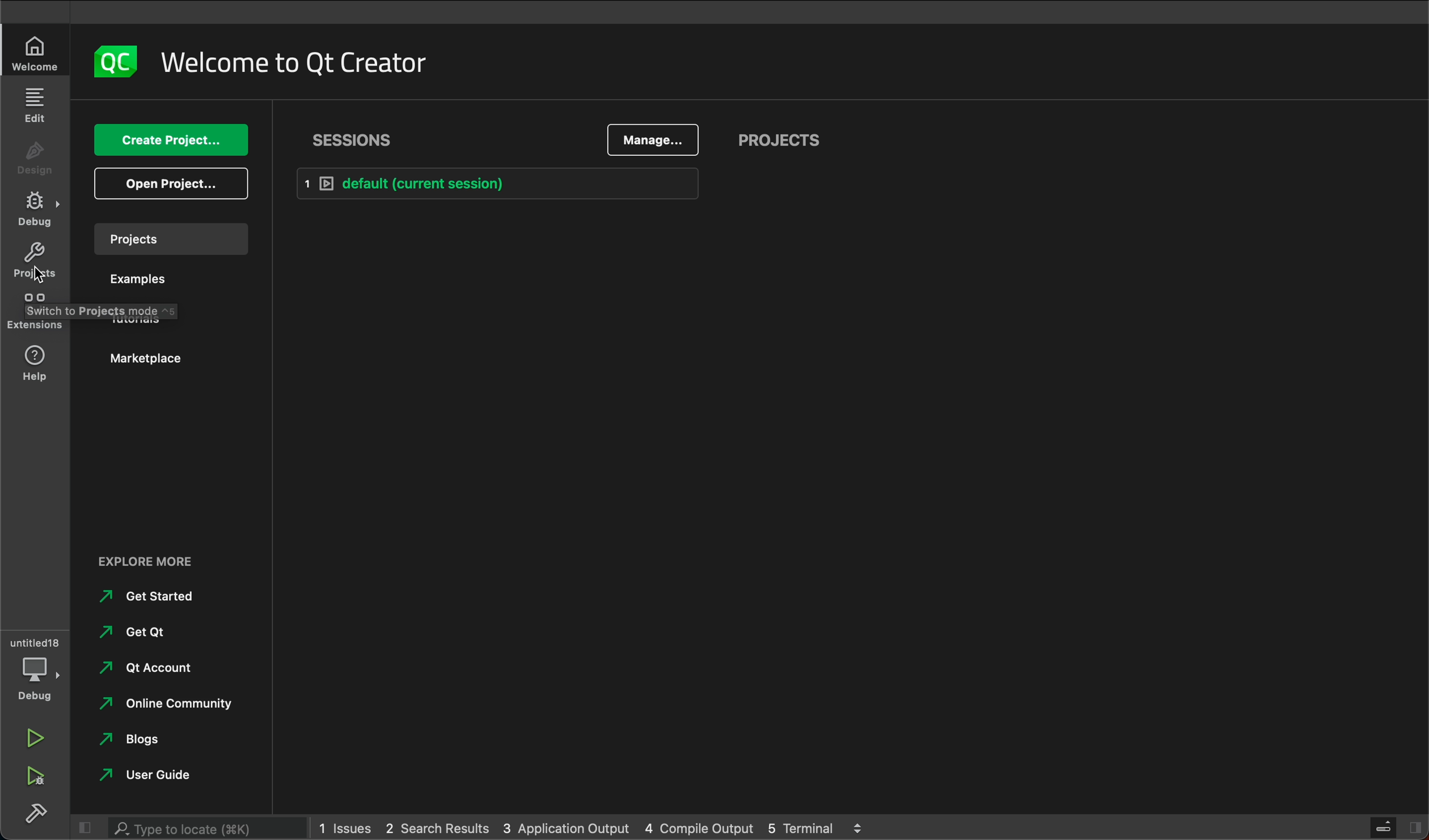 Image resolution: width=1429 pixels, height=840 pixels. What do you see at coordinates (34, 683) in the screenshot?
I see `debug` at bounding box center [34, 683].